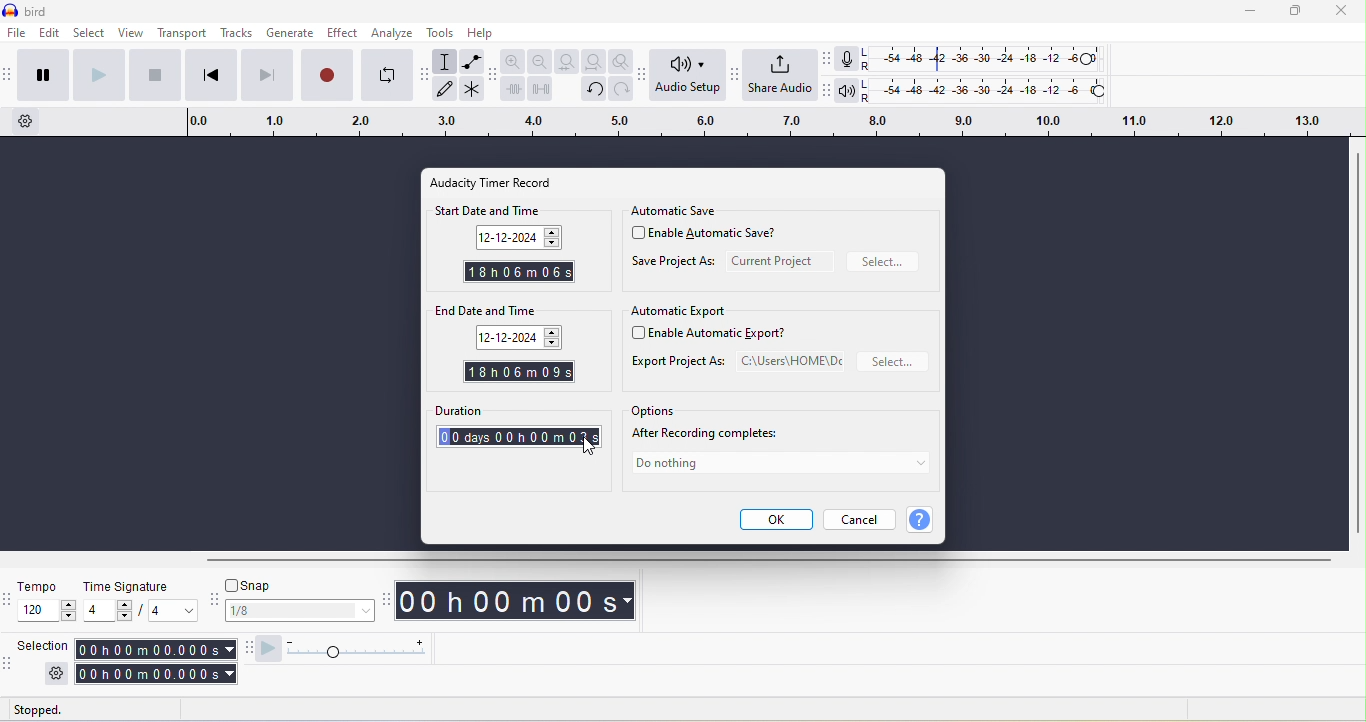  What do you see at coordinates (779, 261) in the screenshot?
I see `current project` at bounding box center [779, 261].